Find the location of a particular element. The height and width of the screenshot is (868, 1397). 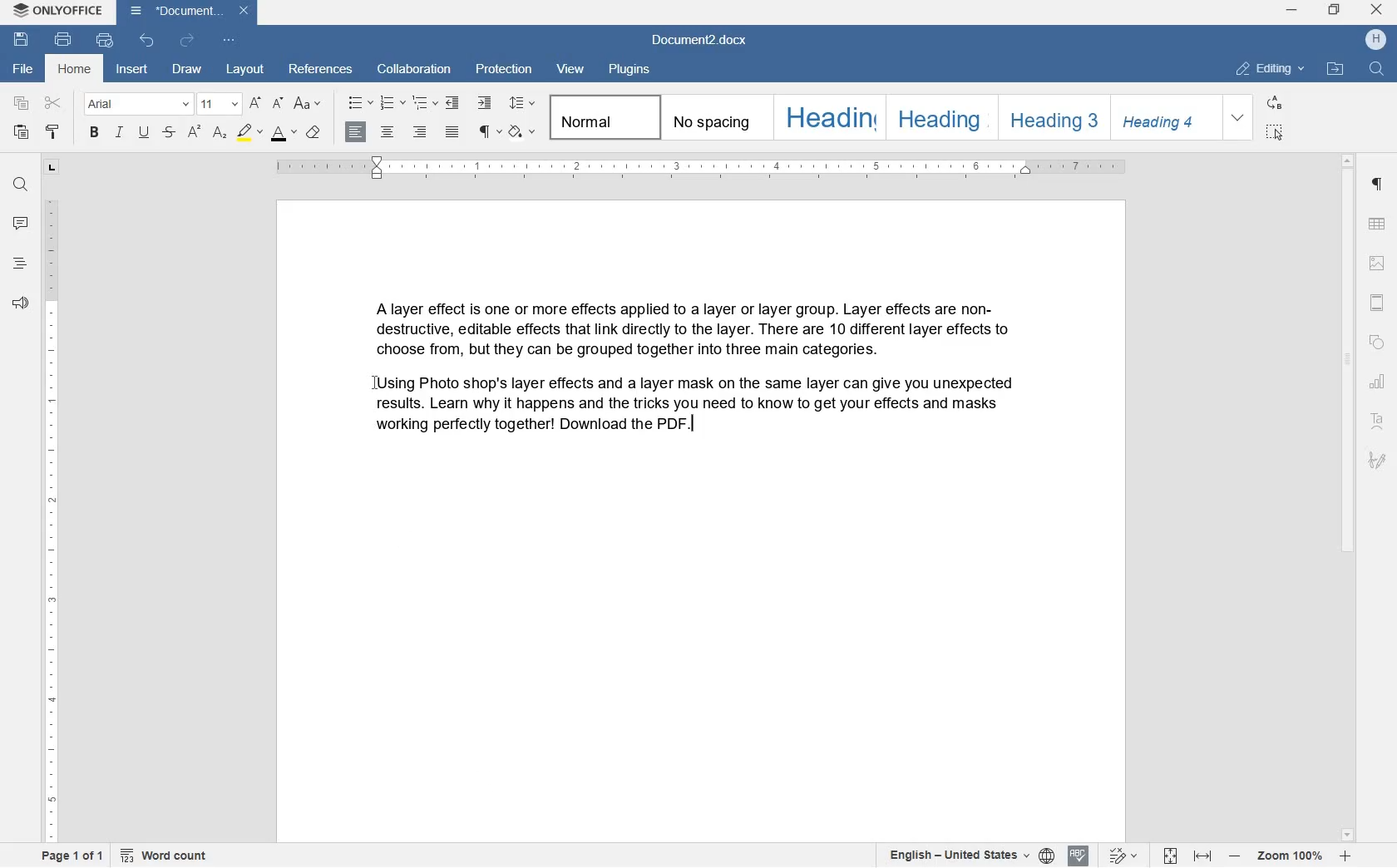

restore is located at coordinates (1333, 11).